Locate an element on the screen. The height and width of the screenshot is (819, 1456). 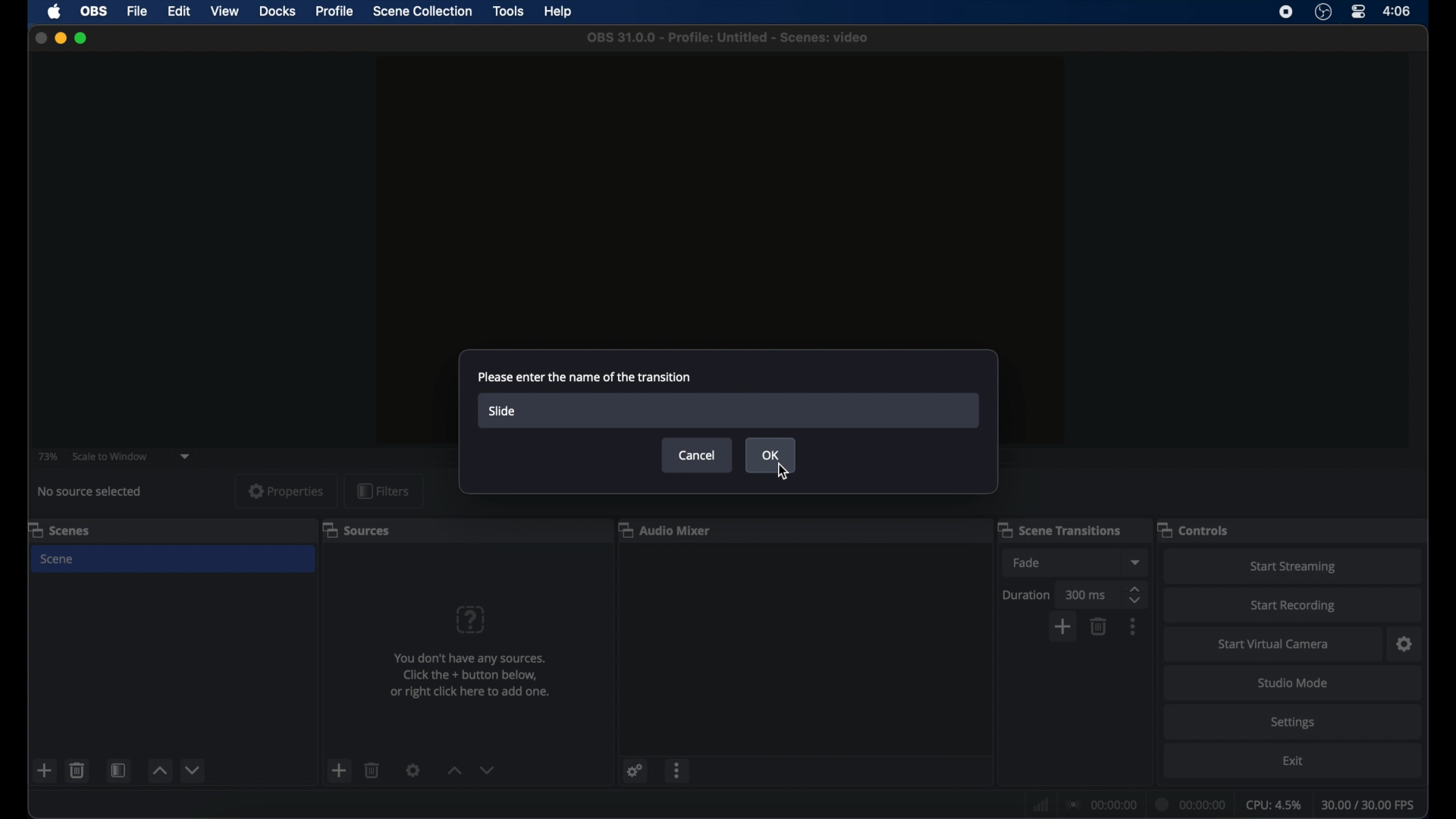
question mark icon is located at coordinates (472, 620).